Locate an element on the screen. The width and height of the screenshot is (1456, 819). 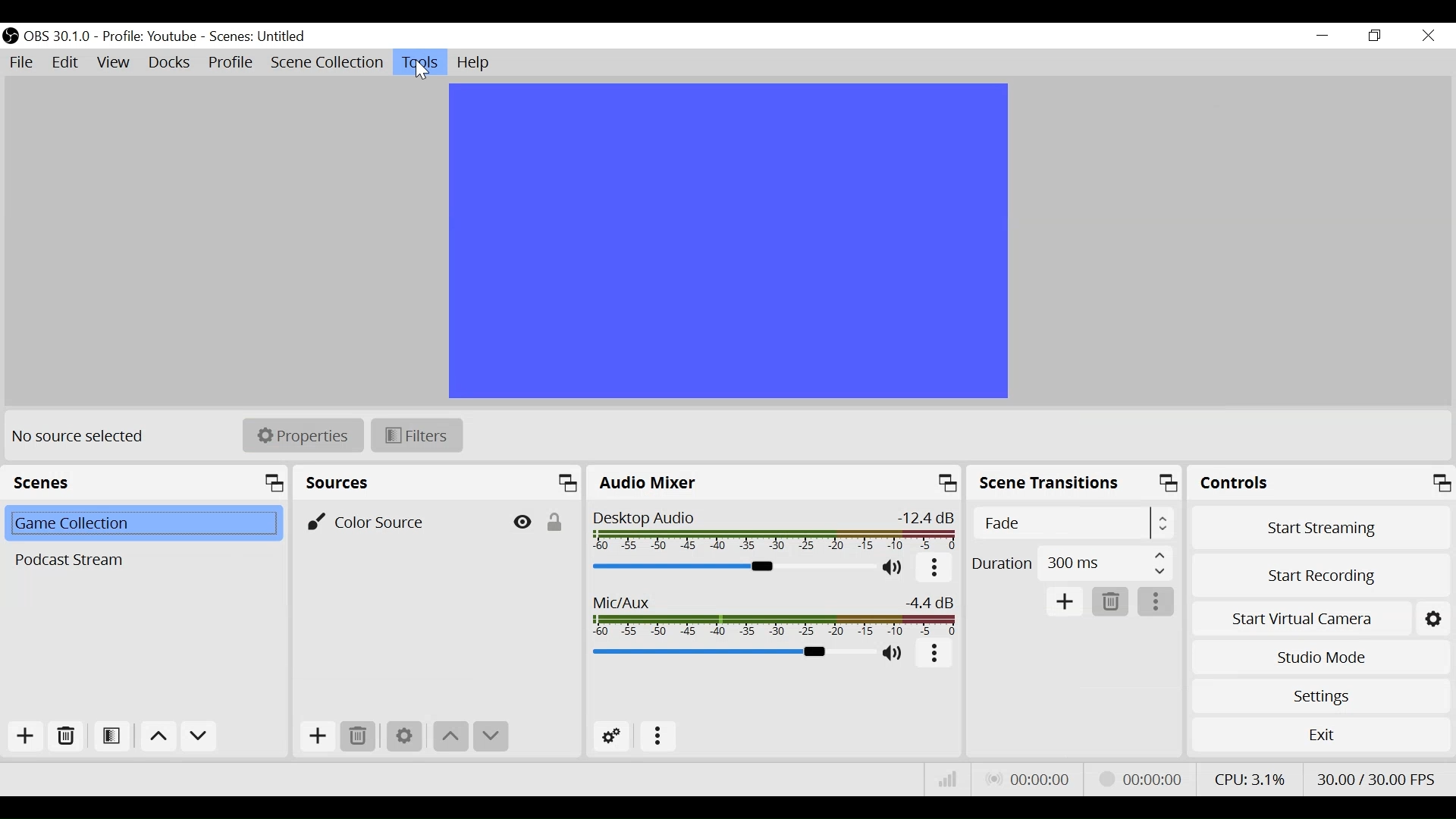
more options is located at coordinates (934, 654).